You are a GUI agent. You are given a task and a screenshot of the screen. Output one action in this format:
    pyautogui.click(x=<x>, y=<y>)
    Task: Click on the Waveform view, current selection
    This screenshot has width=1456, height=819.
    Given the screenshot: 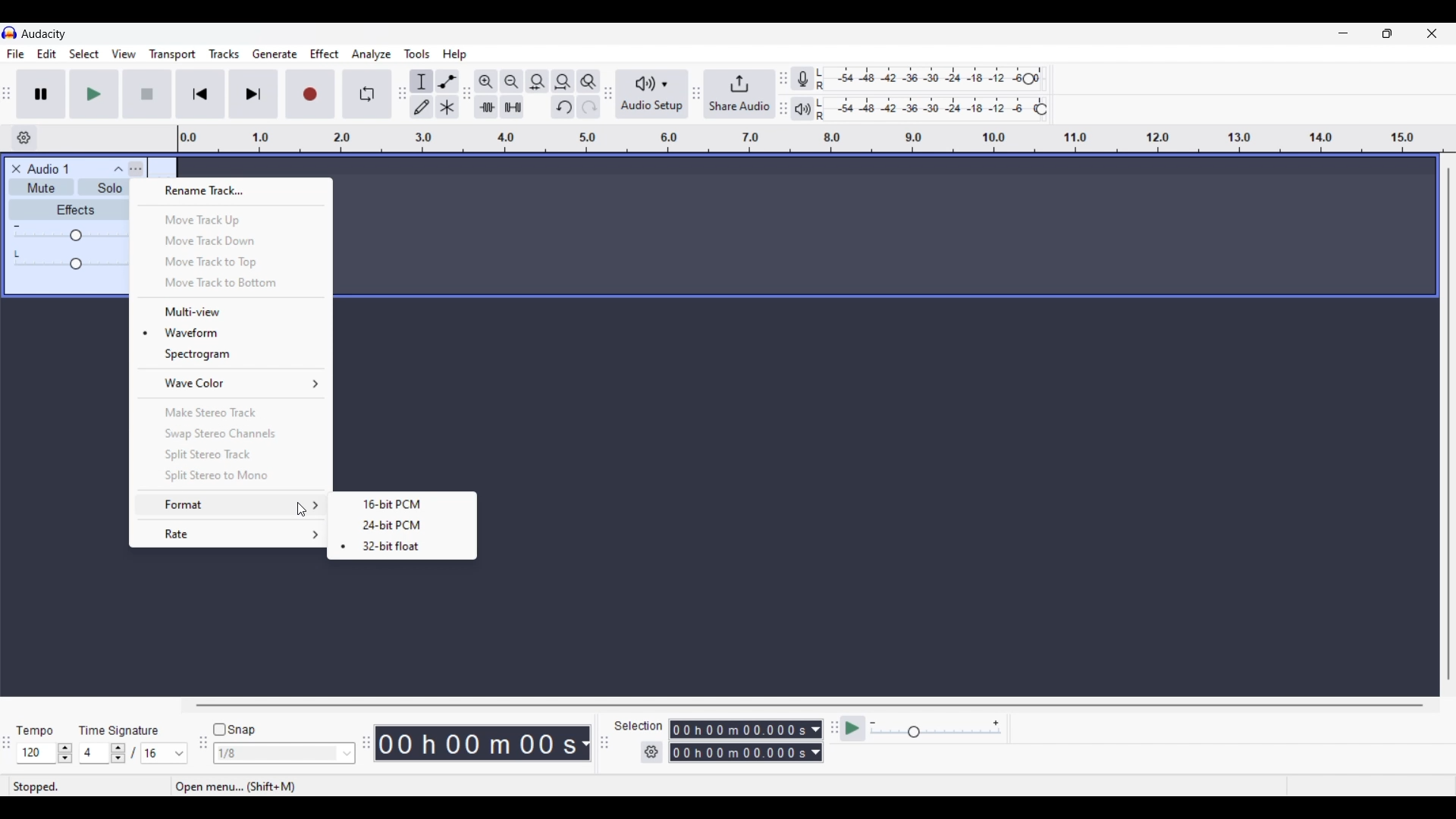 What is the action you would take?
    pyautogui.click(x=231, y=332)
    